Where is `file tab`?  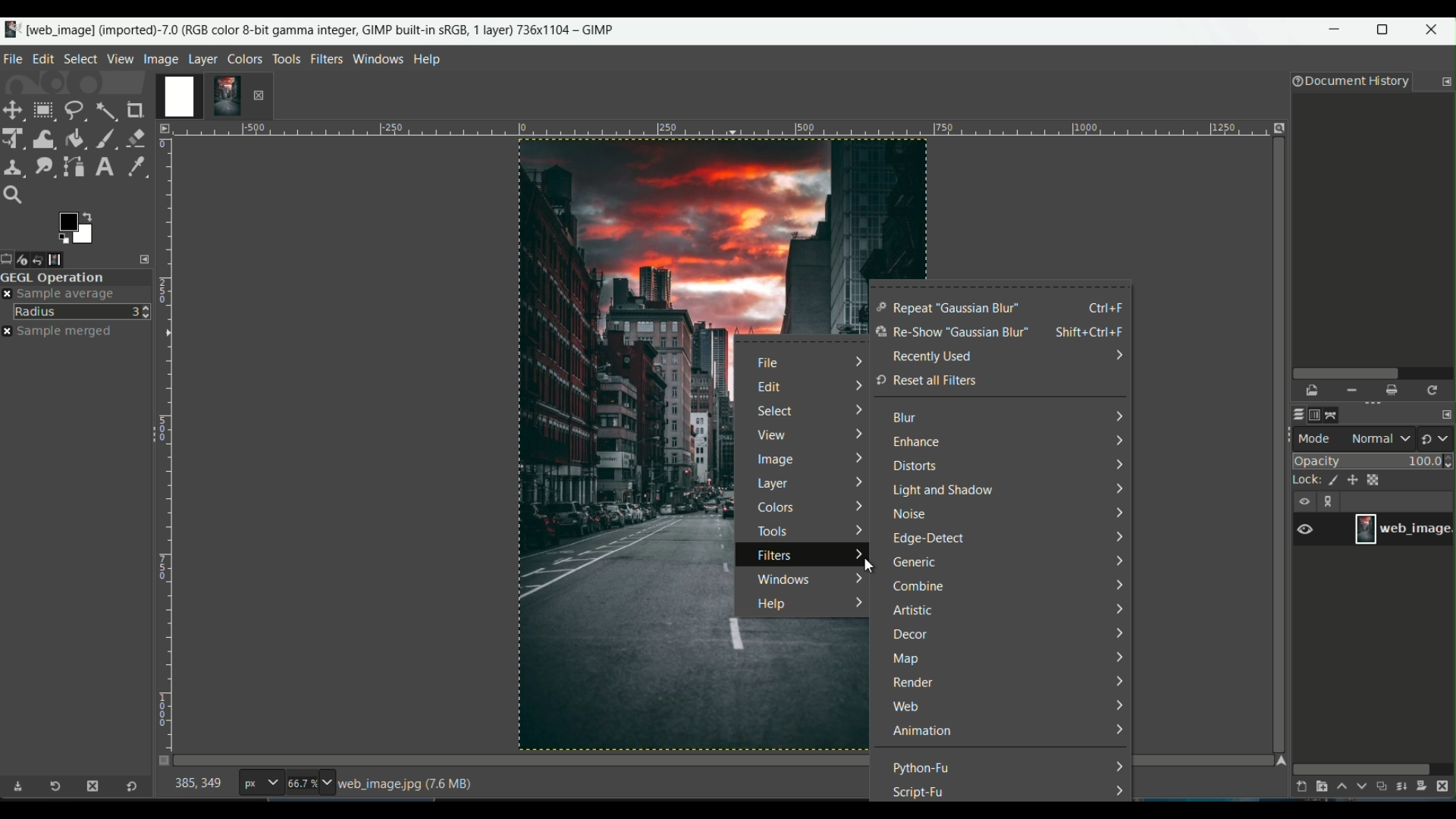
file tab is located at coordinates (14, 57).